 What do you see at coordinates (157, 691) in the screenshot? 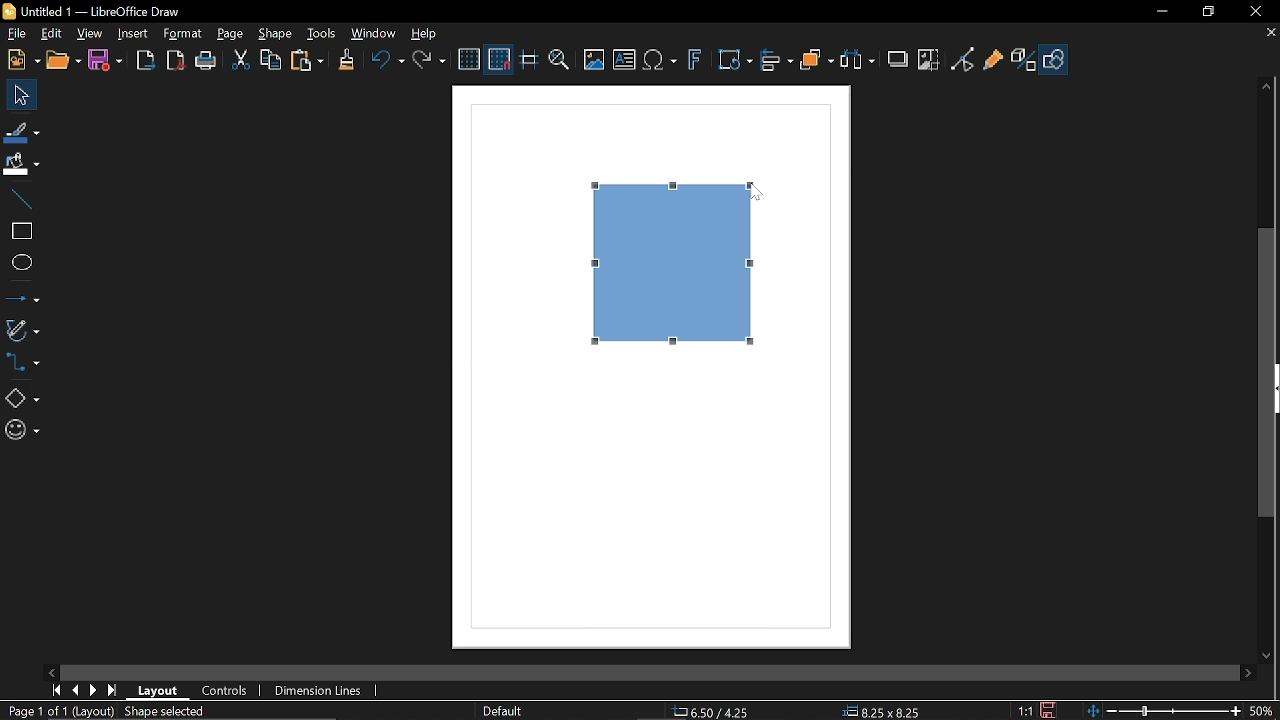
I see `Layout` at bounding box center [157, 691].